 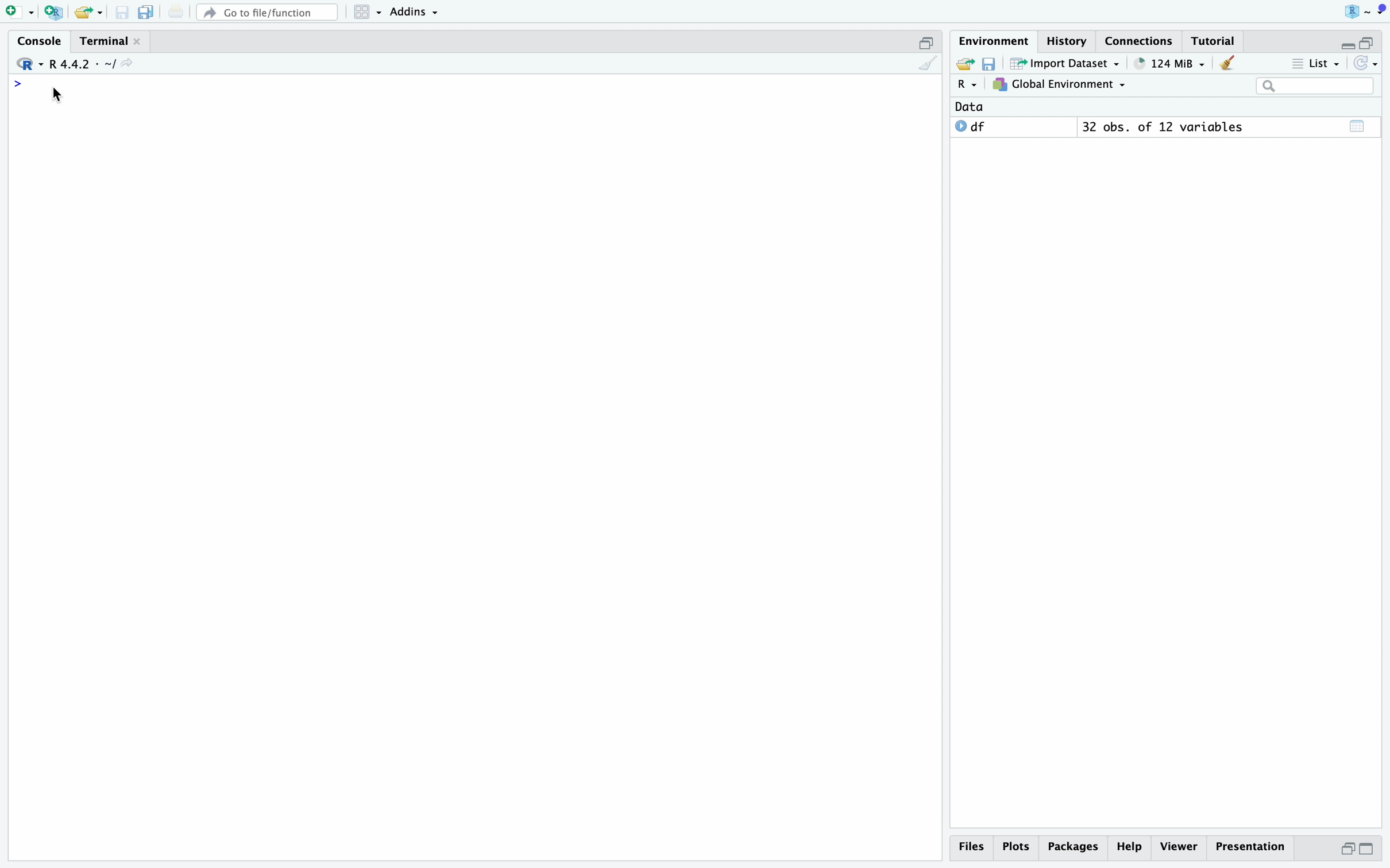 I want to click on R 4.4.2 ~/, so click(x=82, y=65).